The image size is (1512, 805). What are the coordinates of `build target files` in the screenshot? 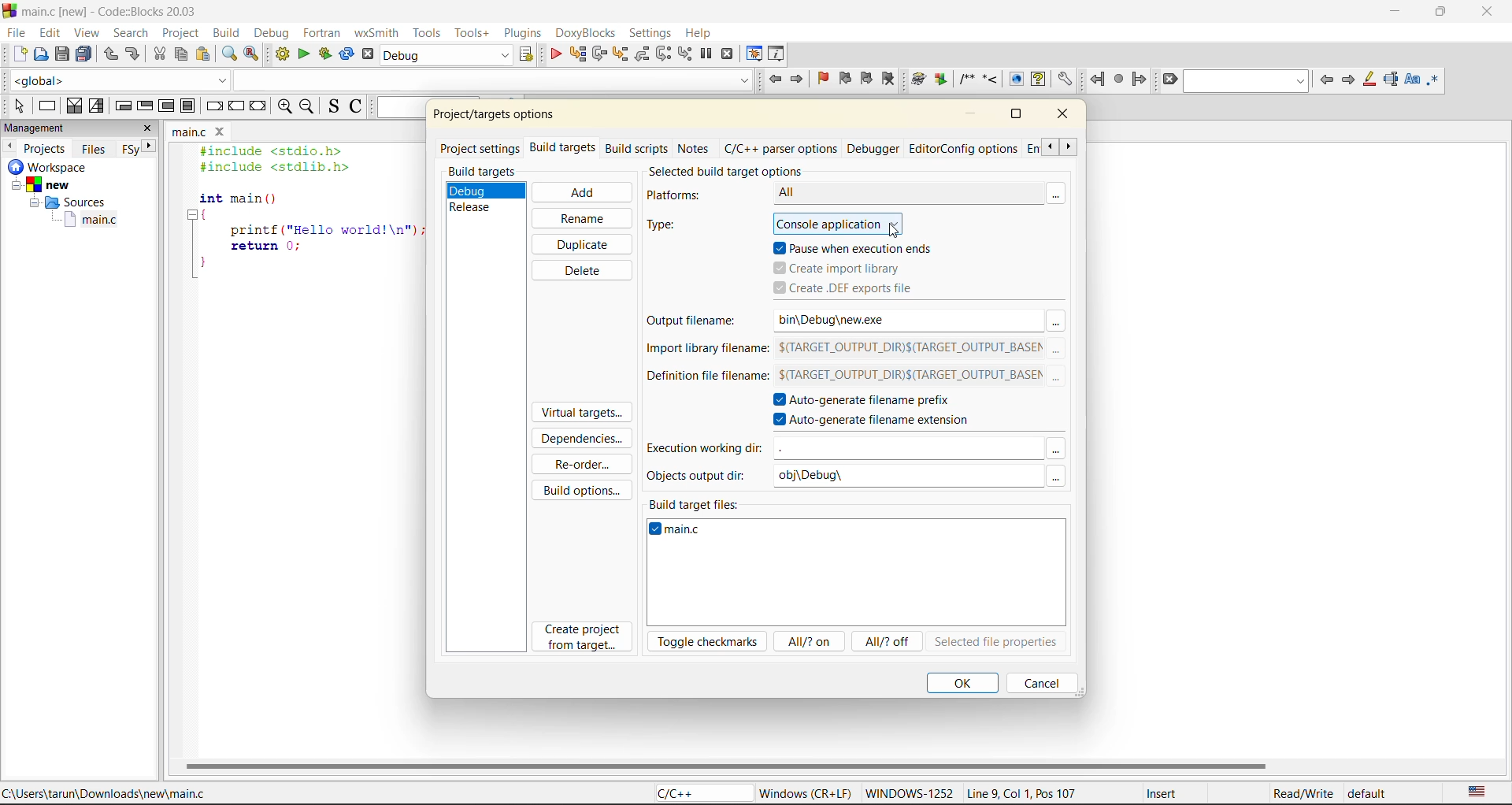 It's located at (702, 503).